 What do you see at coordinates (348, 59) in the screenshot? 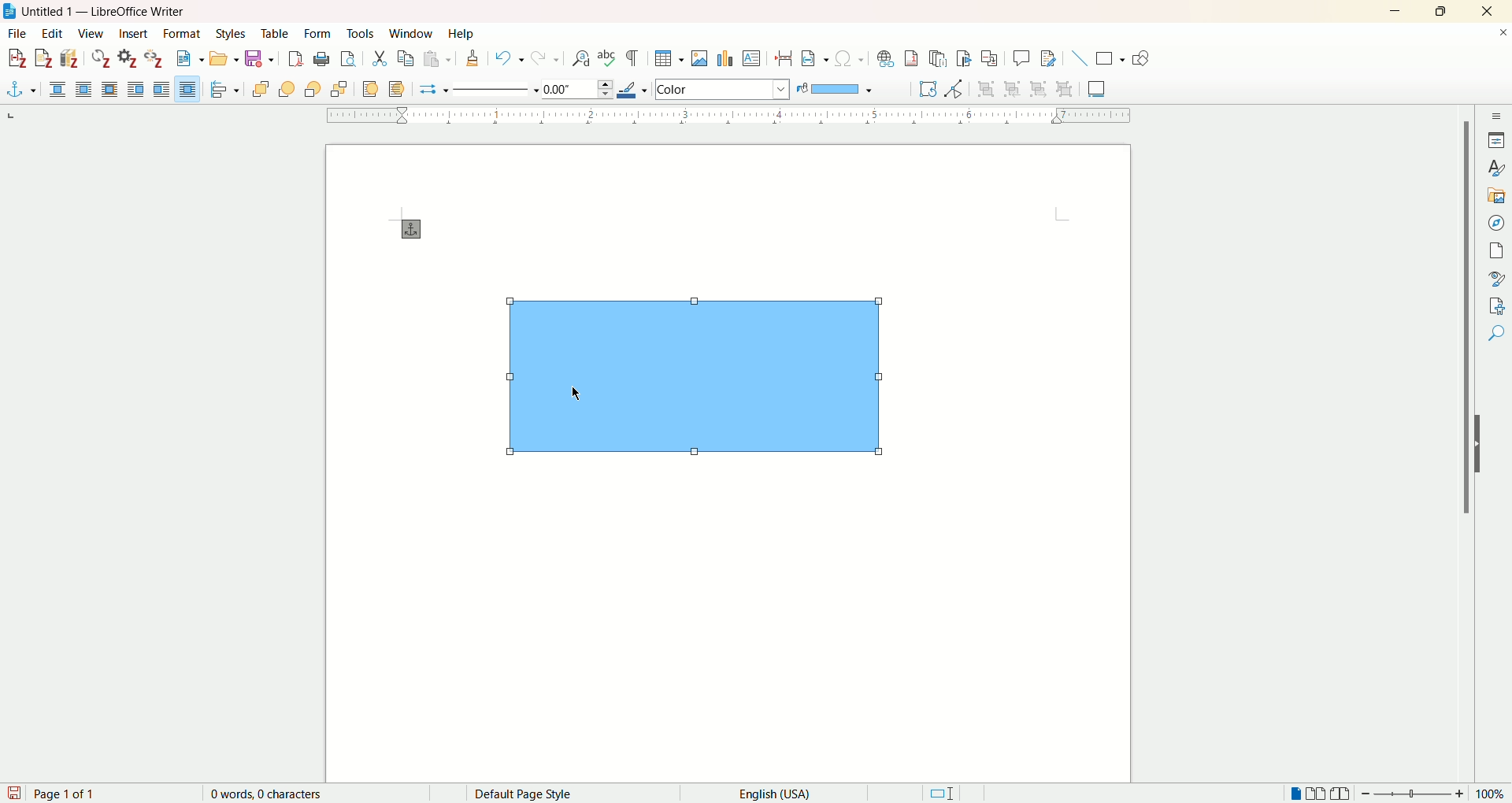
I see `toggle print preview` at bounding box center [348, 59].